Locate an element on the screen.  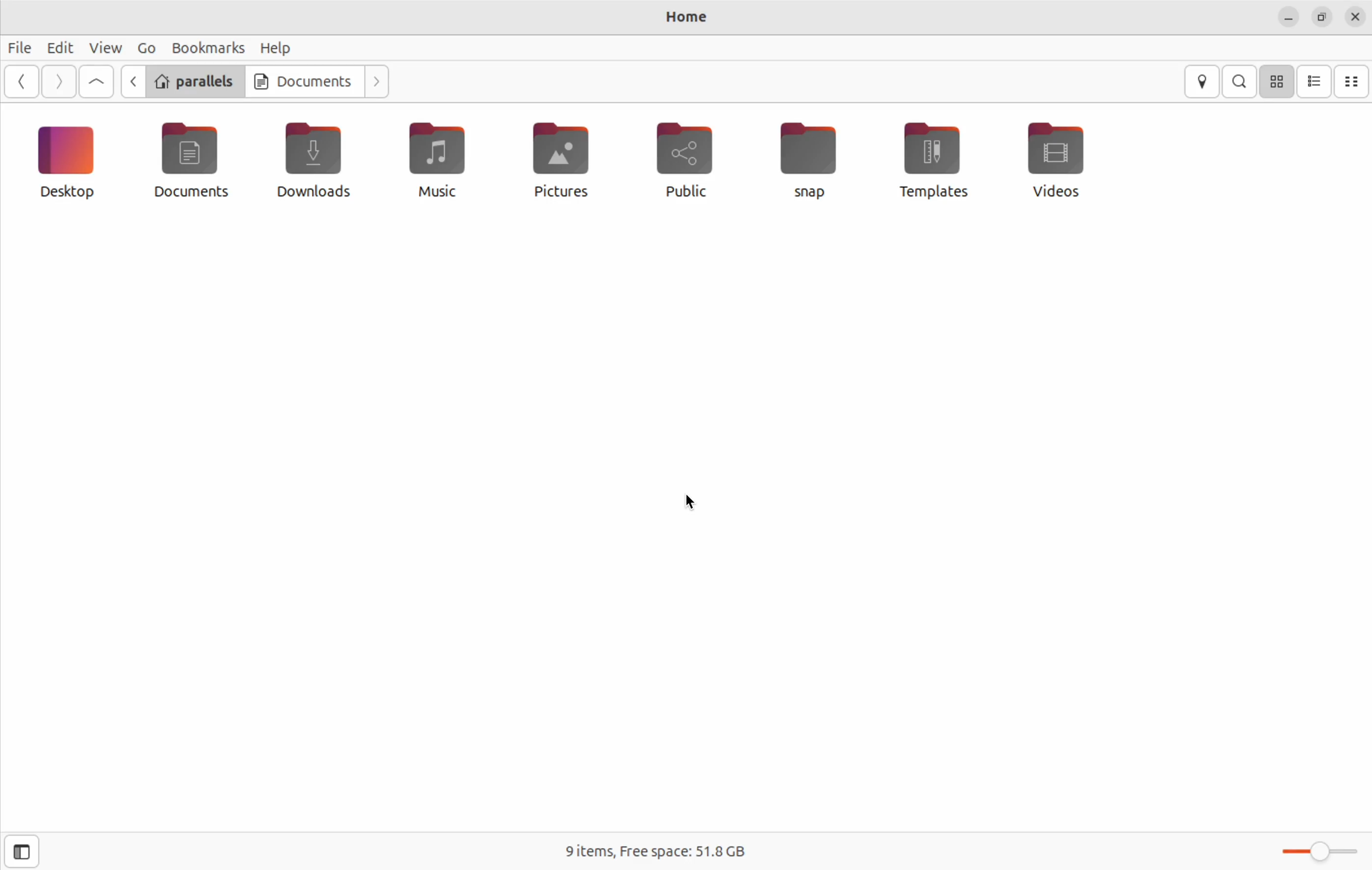
go back is located at coordinates (25, 82).